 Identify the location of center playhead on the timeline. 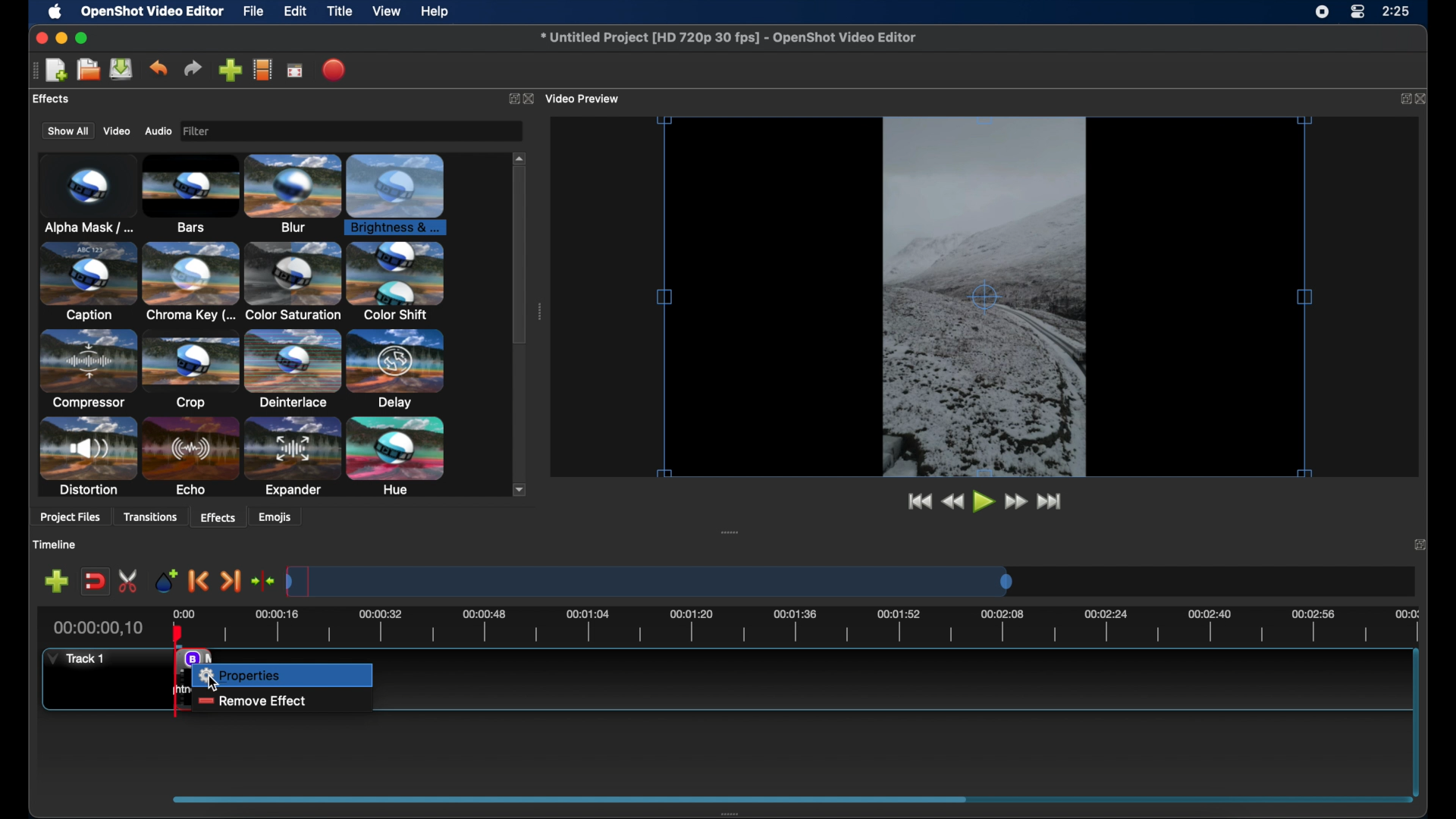
(264, 580).